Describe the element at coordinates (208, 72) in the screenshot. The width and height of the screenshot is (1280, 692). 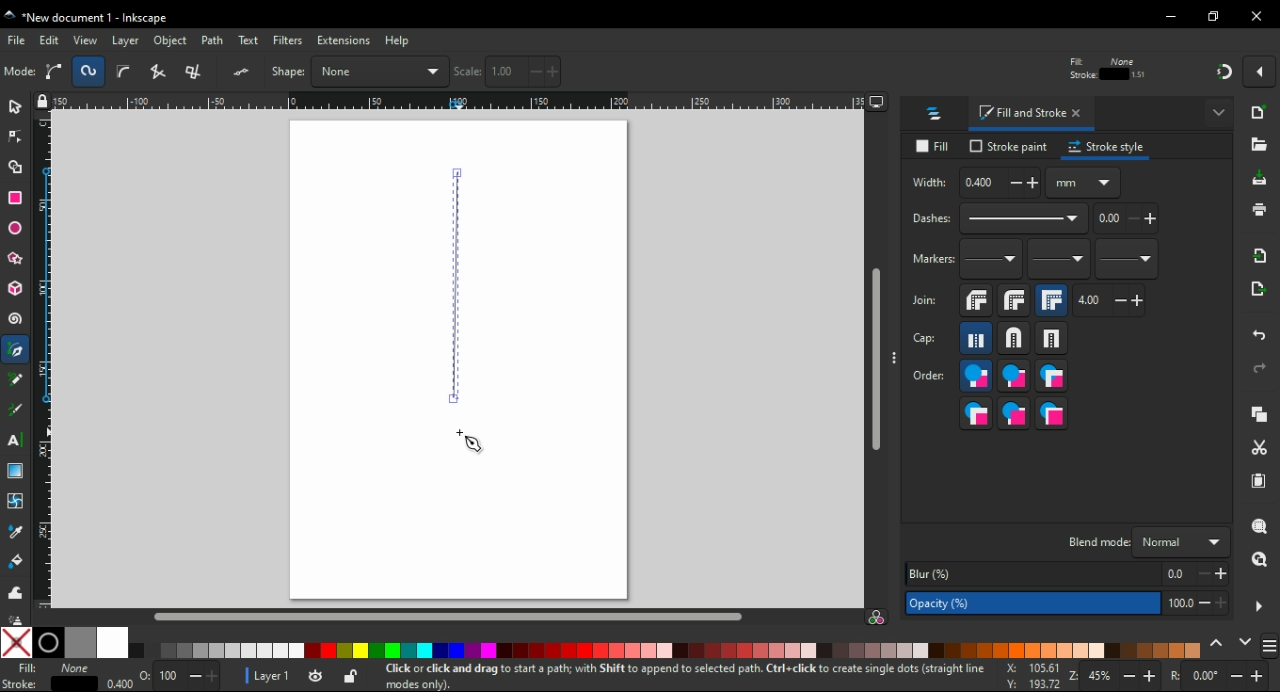
I see `rotate 90` at that location.